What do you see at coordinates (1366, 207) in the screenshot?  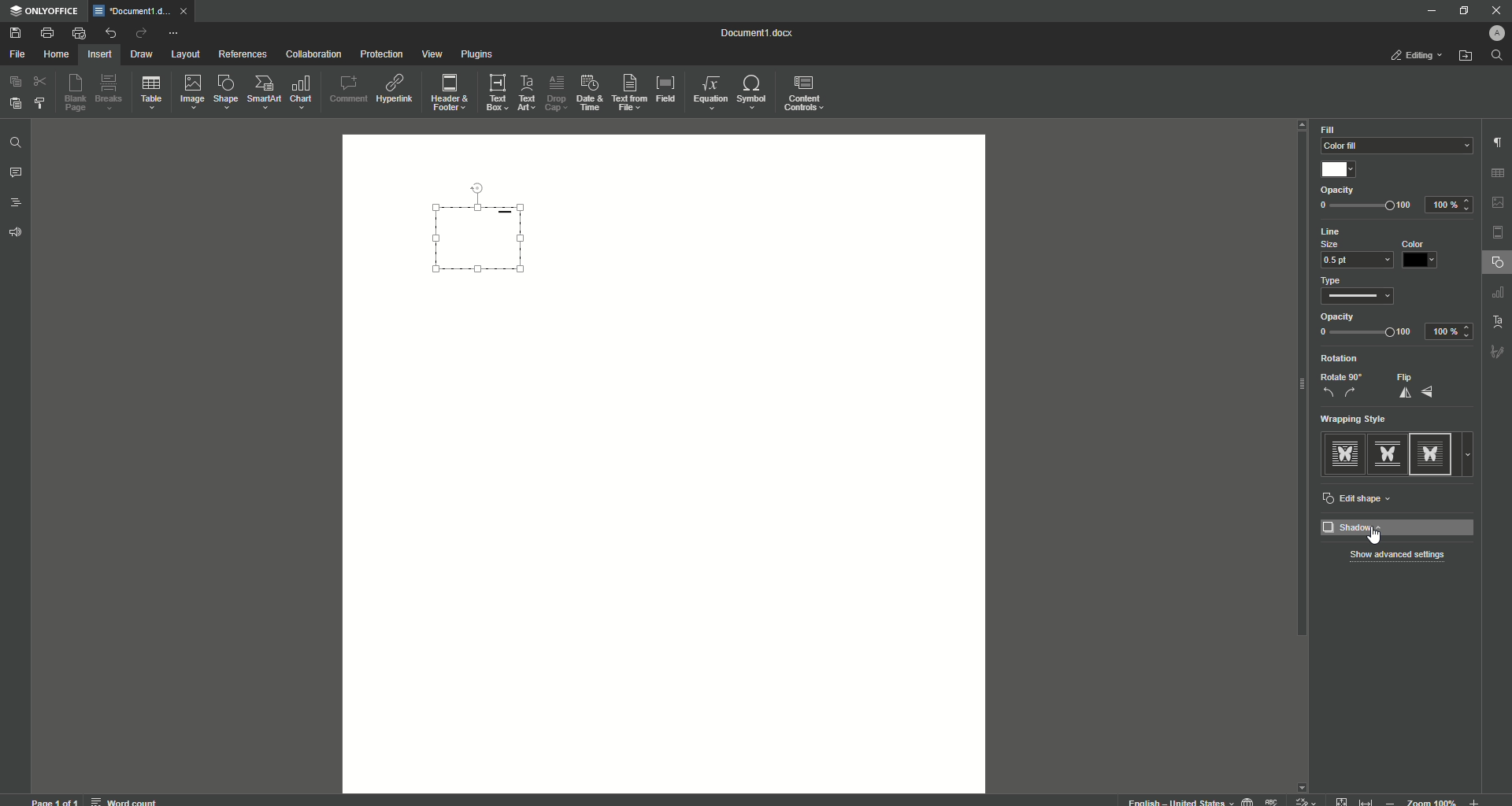 I see `adjust 0 to 100` at bounding box center [1366, 207].